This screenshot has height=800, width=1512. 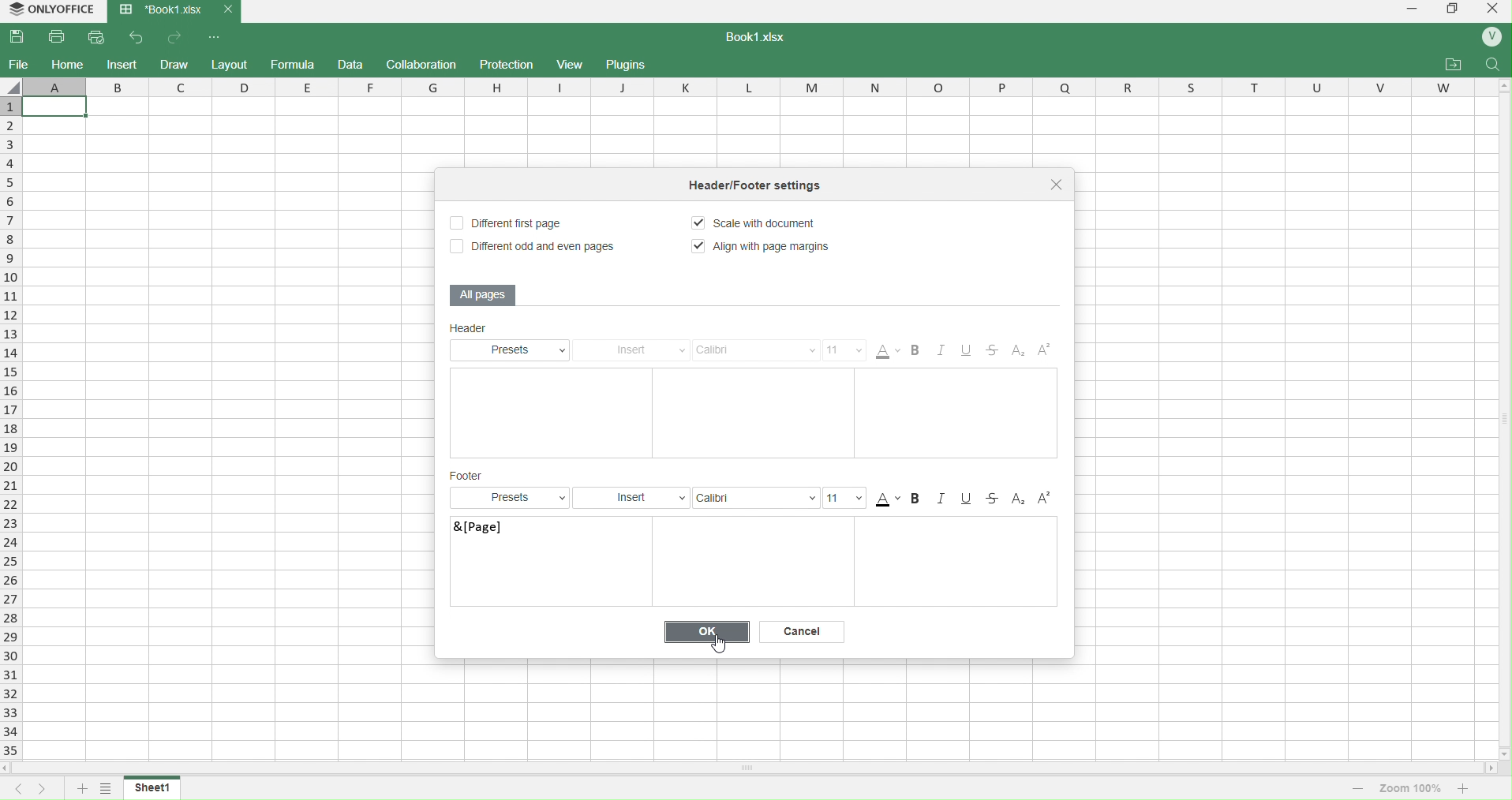 I want to click on current cell, so click(x=54, y=107).